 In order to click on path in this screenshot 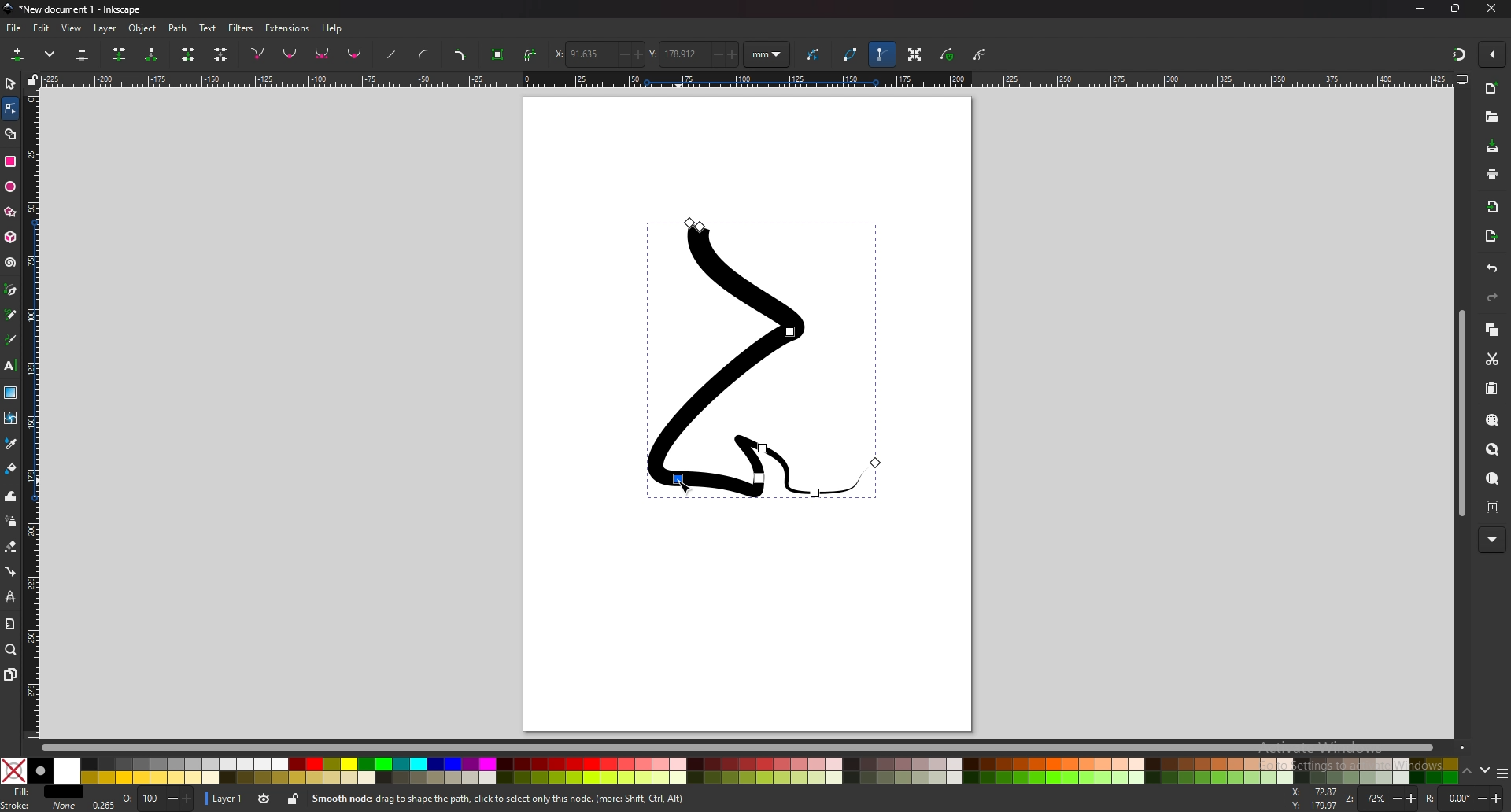, I will do `click(178, 28)`.